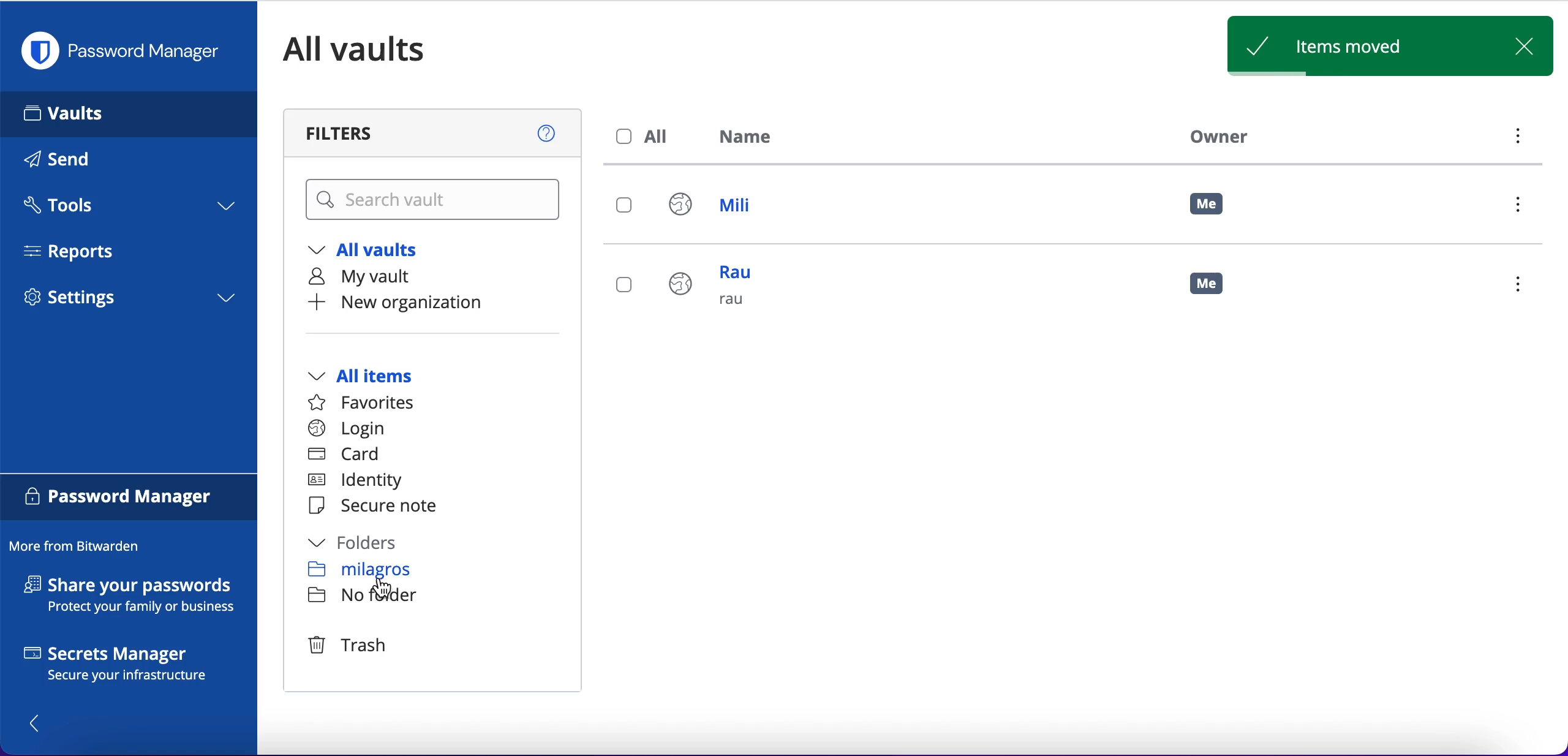 The image size is (1568, 756). What do you see at coordinates (753, 139) in the screenshot?
I see `name` at bounding box center [753, 139].